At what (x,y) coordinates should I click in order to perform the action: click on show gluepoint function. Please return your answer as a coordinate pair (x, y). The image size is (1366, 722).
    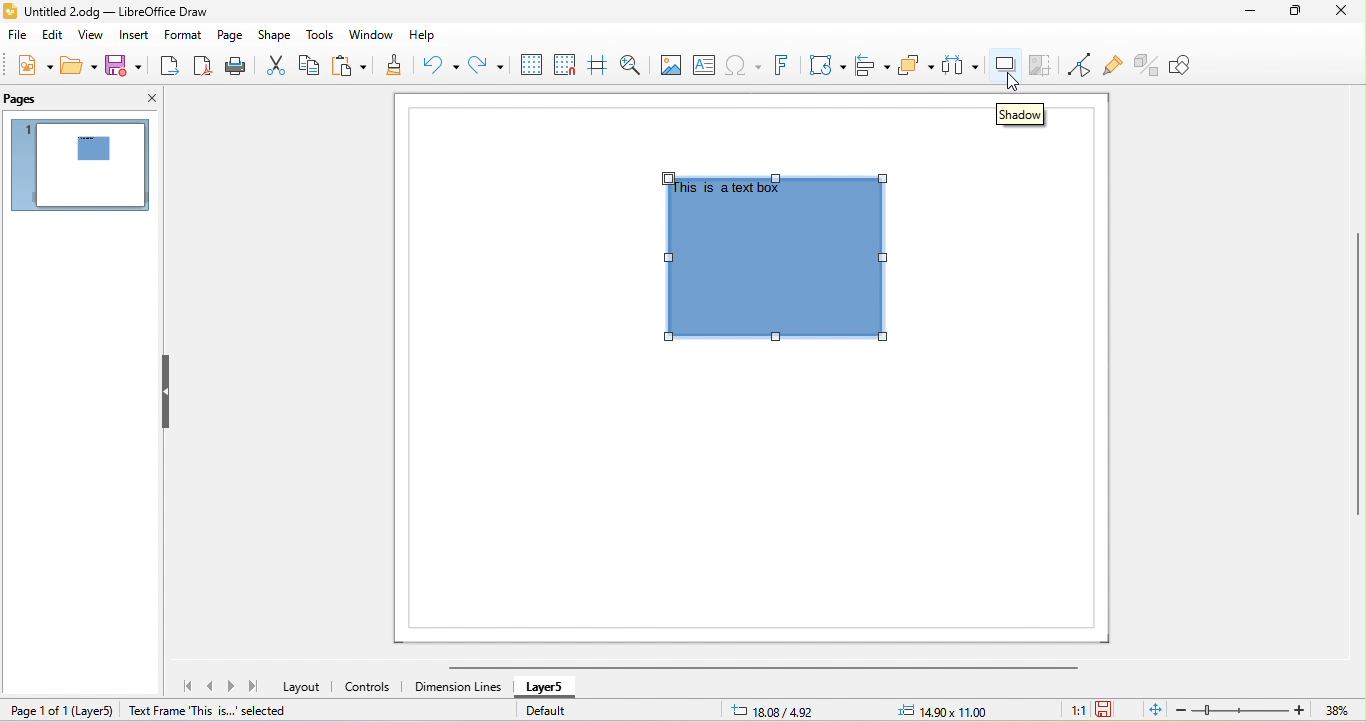
    Looking at the image, I should click on (1112, 66).